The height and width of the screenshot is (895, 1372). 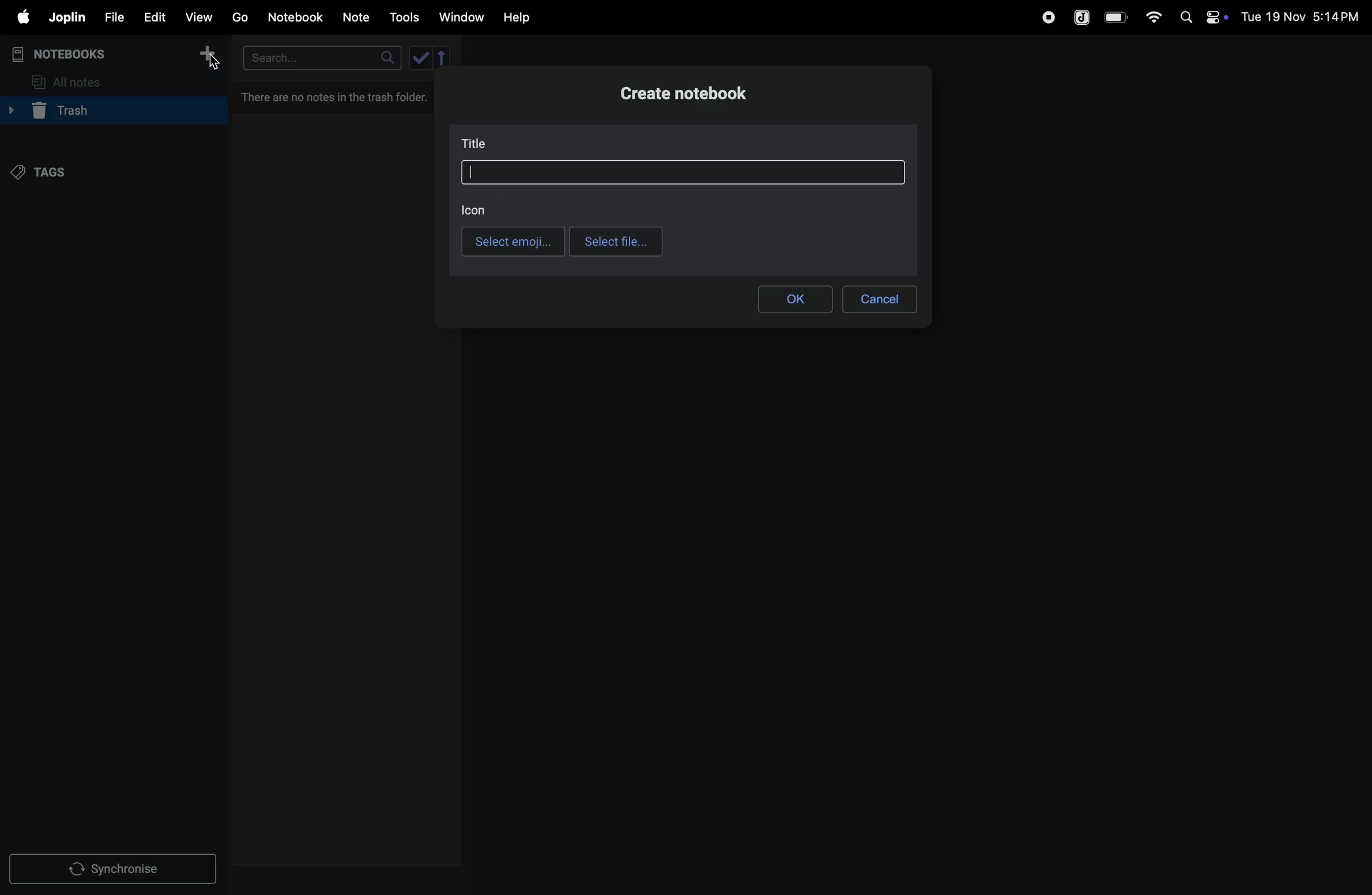 What do you see at coordinates (617, 242) in the screenshot?
I see `select file` at bounding box center [617, 242].